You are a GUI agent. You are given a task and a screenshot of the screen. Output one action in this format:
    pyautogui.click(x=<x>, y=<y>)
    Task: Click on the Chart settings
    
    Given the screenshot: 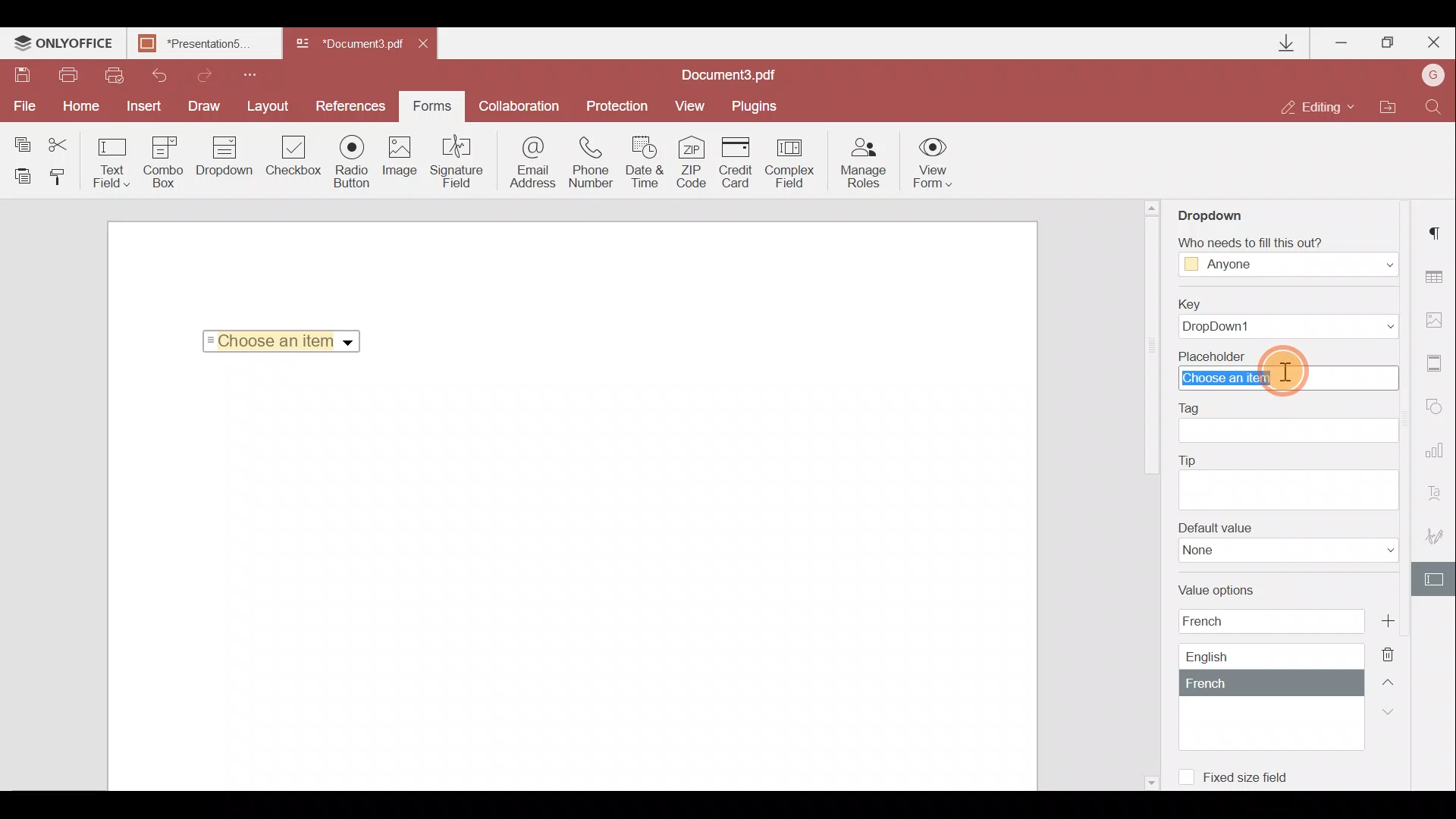 What is the action you would take?
    pyautogui.click(x=1437, y=457)
    